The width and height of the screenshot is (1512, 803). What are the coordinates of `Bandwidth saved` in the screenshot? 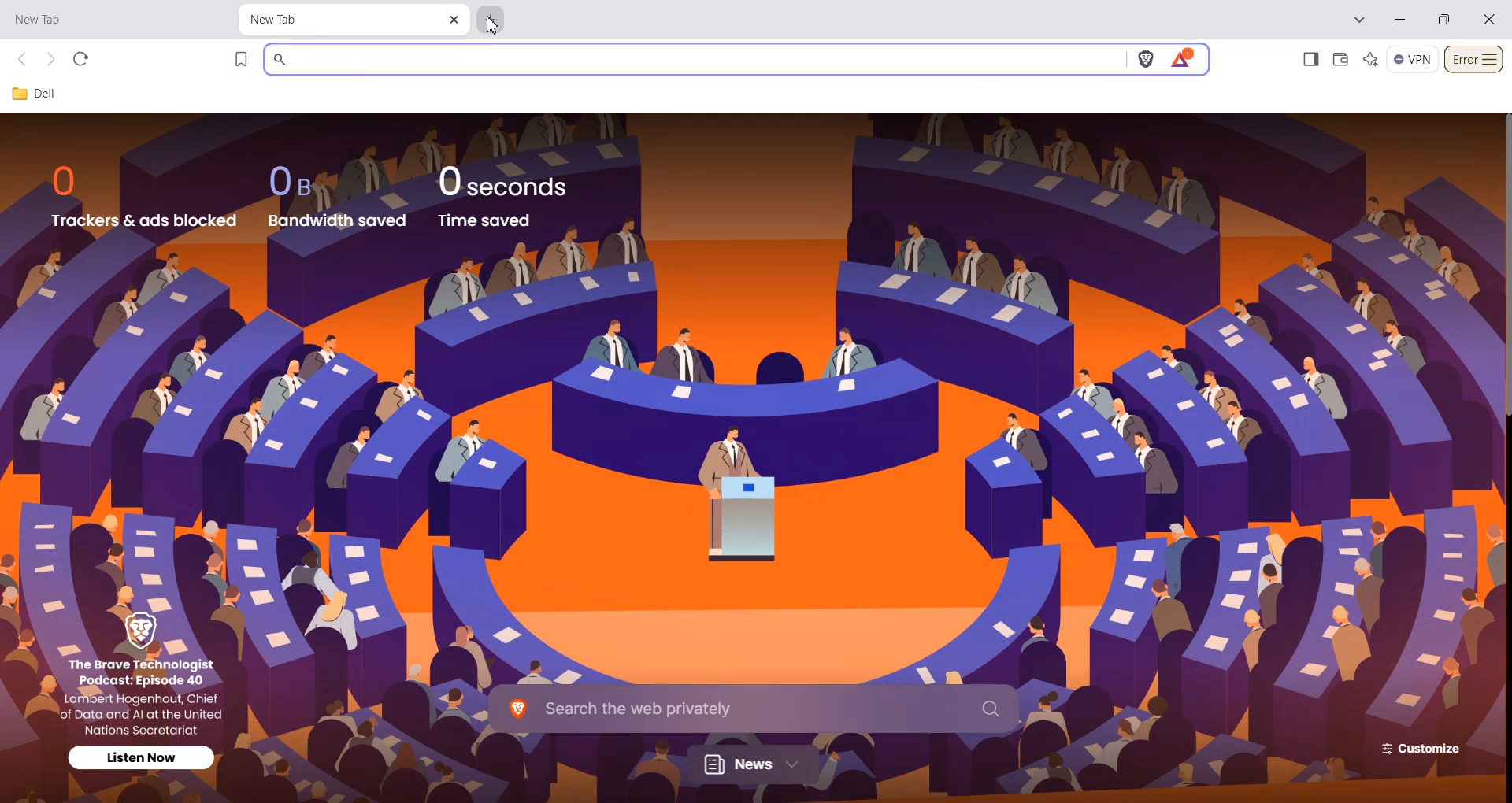 It's located at (339, 220).